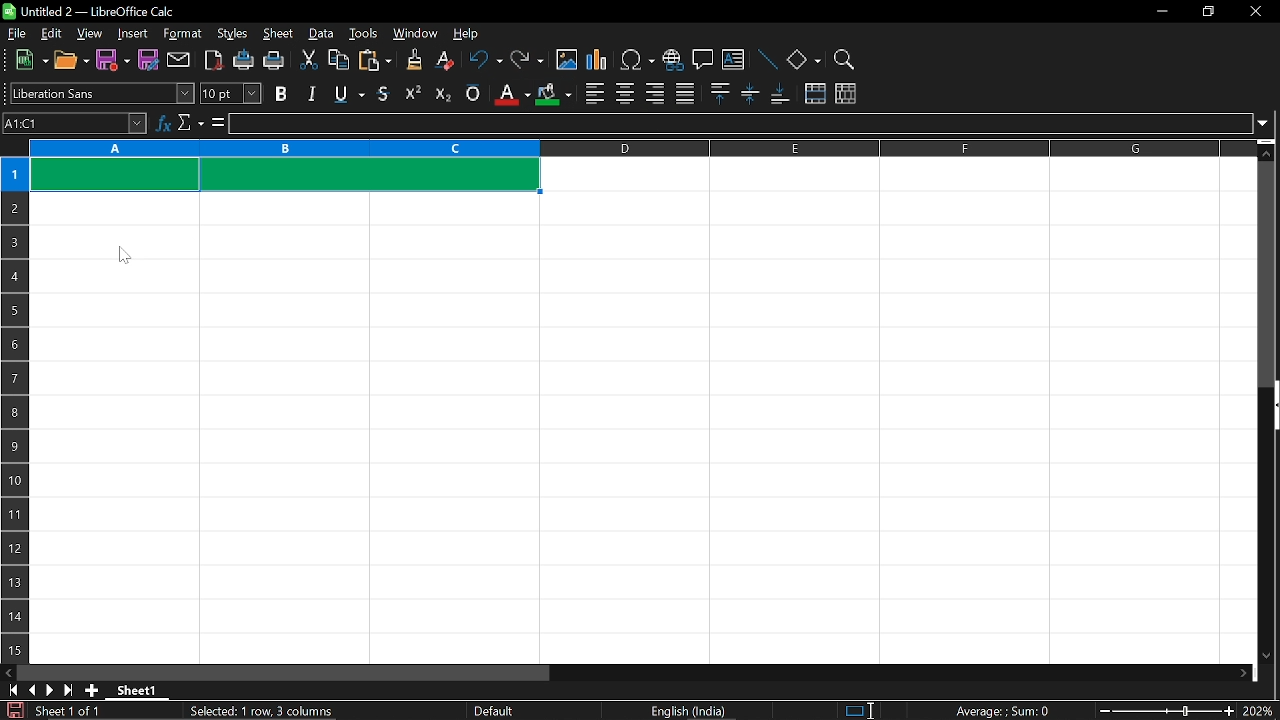 Image resolution: width=1280 pixels, height=720 pixels. What do you see at coordinates (1002, 710) in the screenshot?
I see `Average:;Sum: 0` at bounding box center [1002, 710].